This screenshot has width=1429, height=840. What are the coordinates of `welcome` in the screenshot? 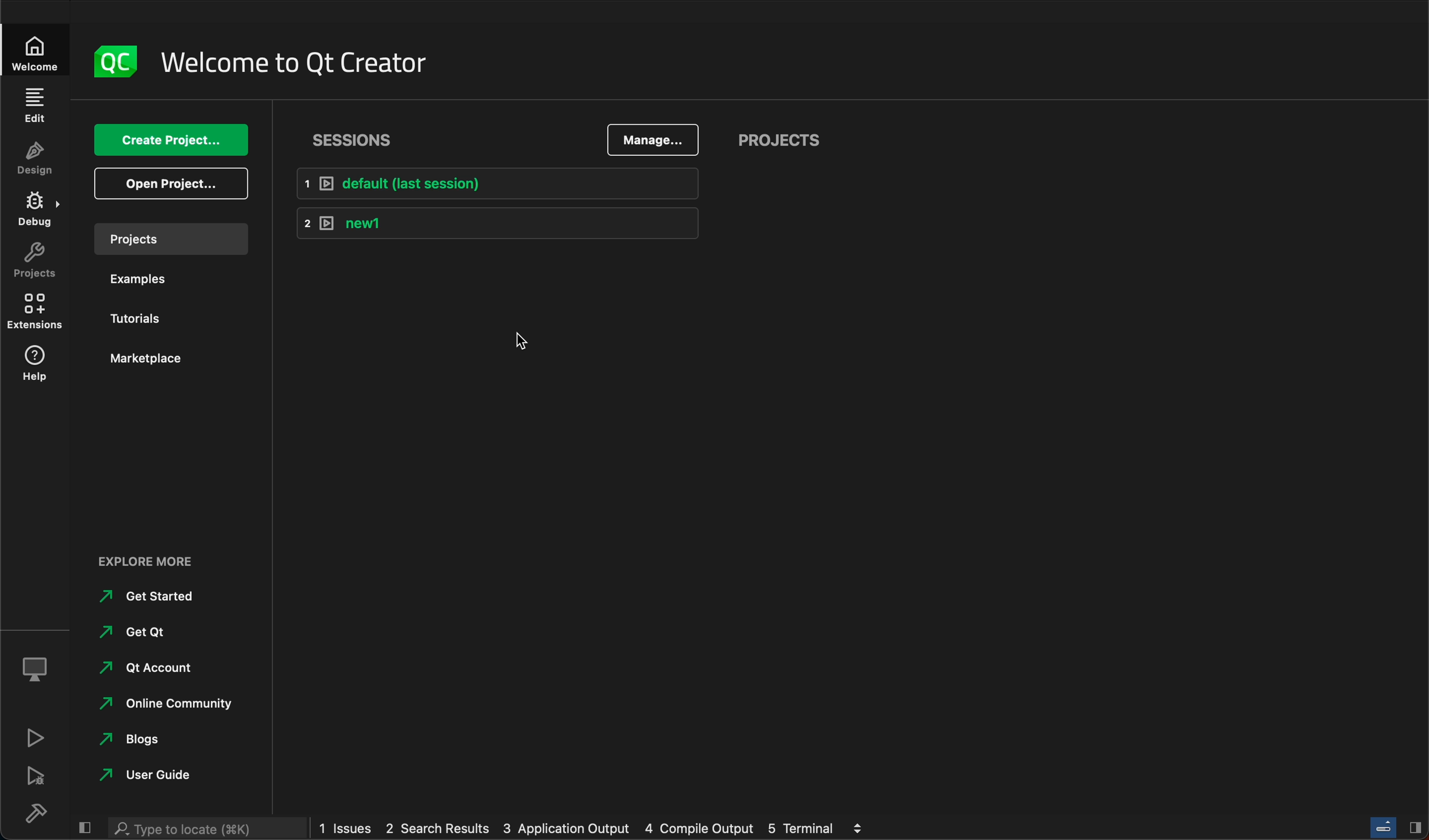 It's located at (302, 58).